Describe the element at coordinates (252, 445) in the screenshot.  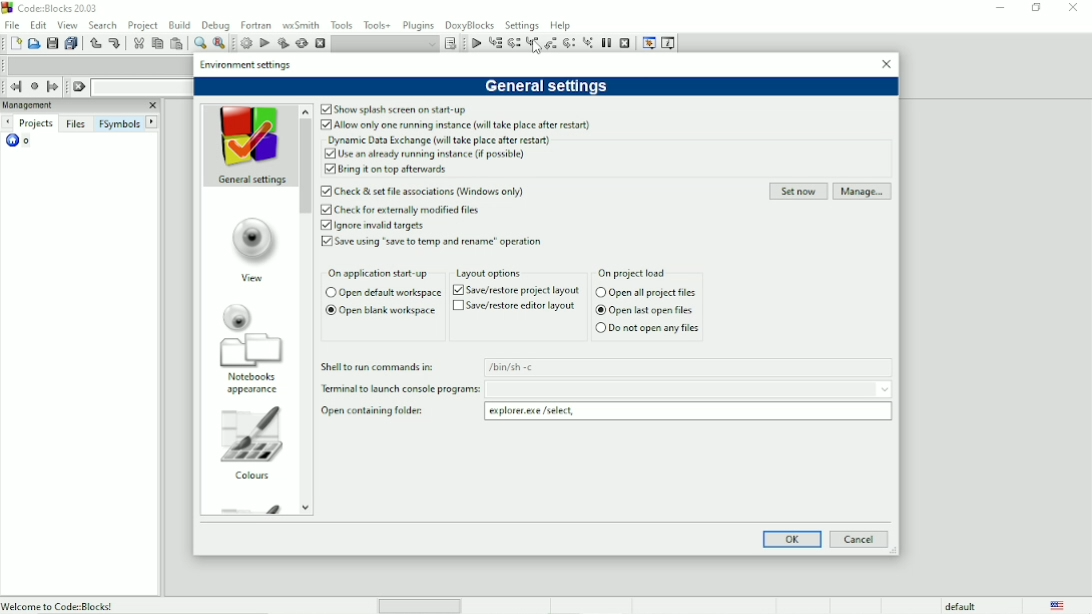
I see `Colours` at that location.